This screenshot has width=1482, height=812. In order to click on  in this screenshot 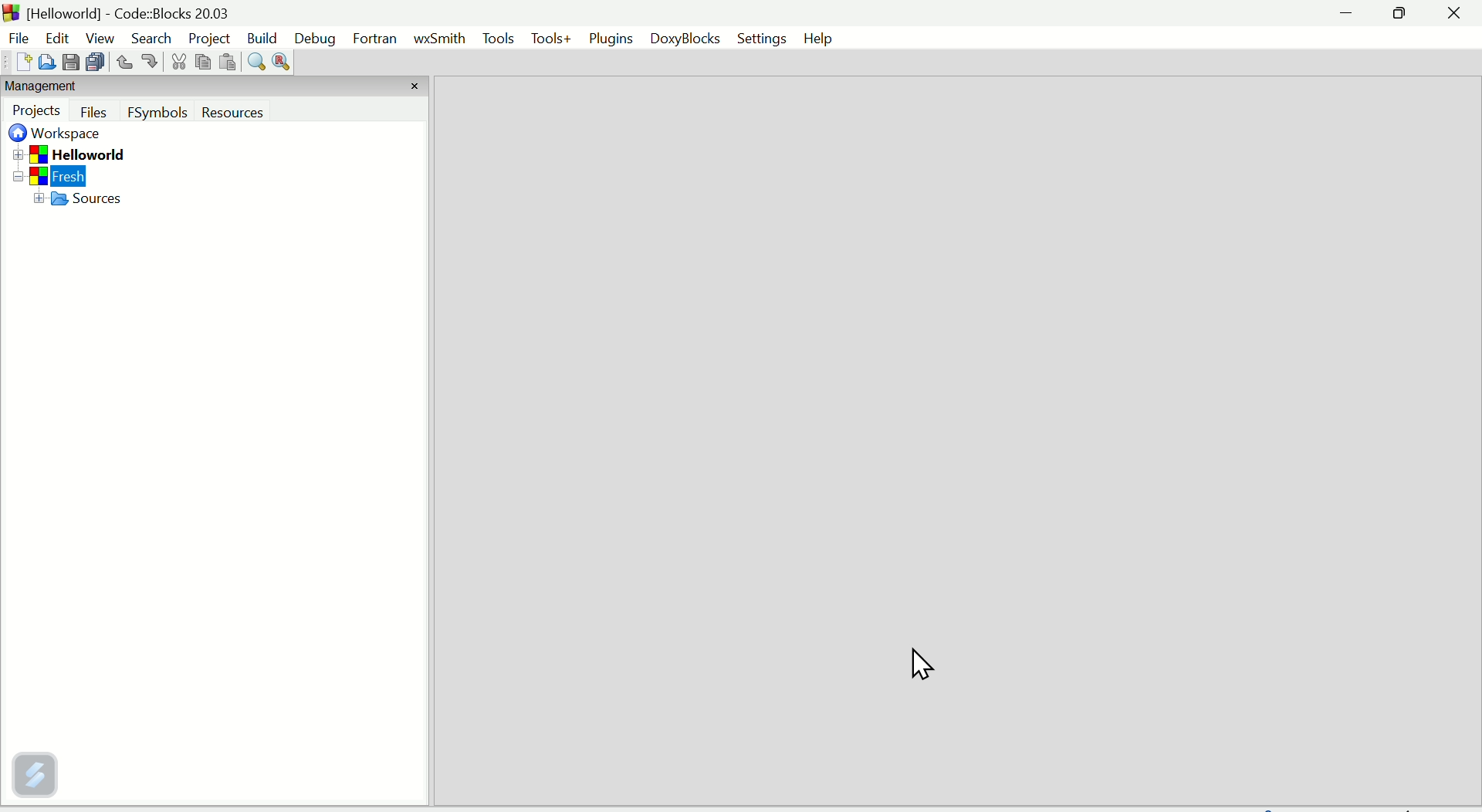, I will do `click(149, 61)`.